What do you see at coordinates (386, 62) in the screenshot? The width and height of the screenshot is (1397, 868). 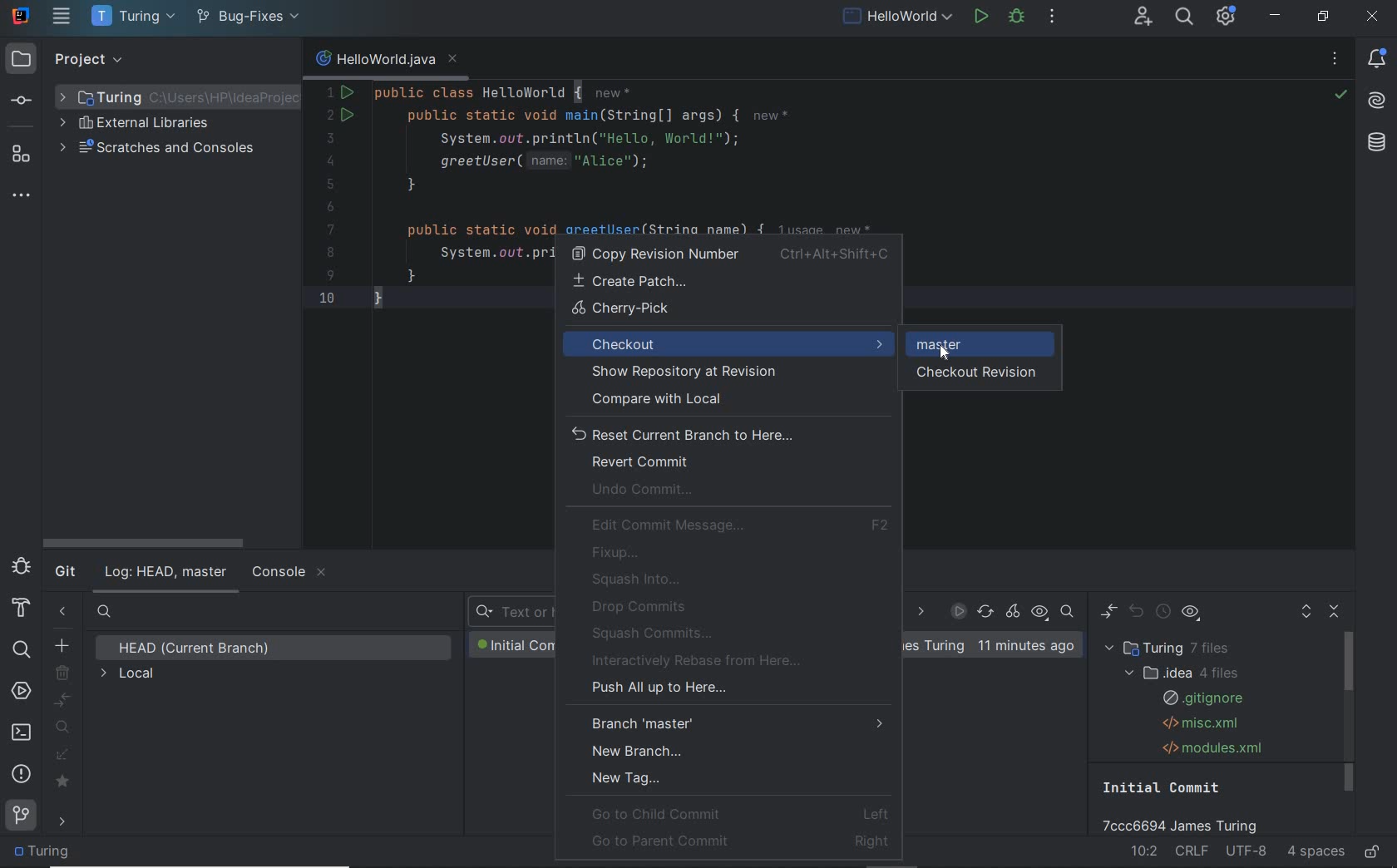 I see `file name` at bounding box center [386, 62].